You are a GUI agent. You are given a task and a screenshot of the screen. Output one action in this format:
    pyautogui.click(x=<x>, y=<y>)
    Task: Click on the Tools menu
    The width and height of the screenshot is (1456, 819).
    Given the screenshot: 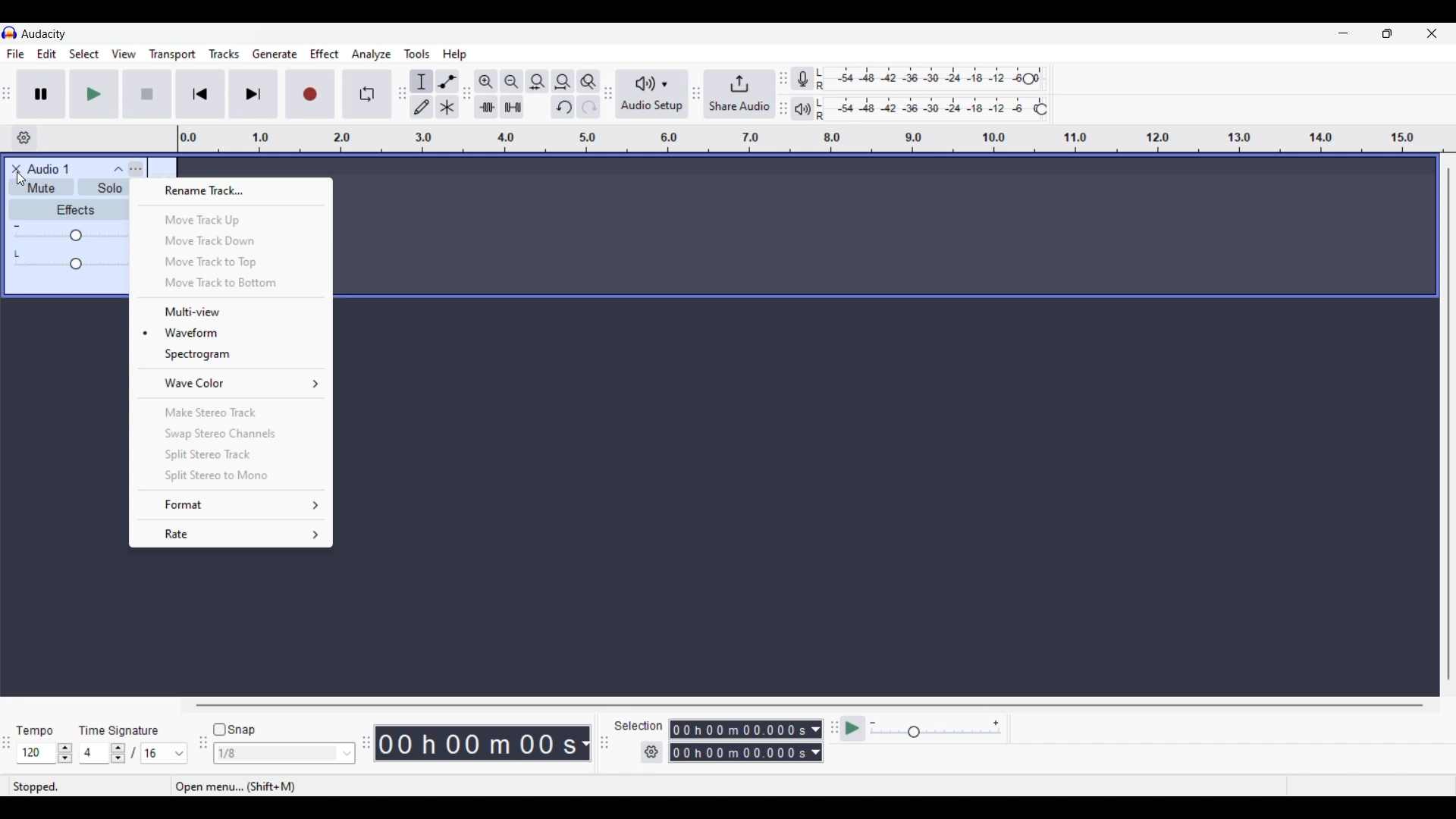 What is the action you would take?
    pyautogui.click(x=417, y=54)
    